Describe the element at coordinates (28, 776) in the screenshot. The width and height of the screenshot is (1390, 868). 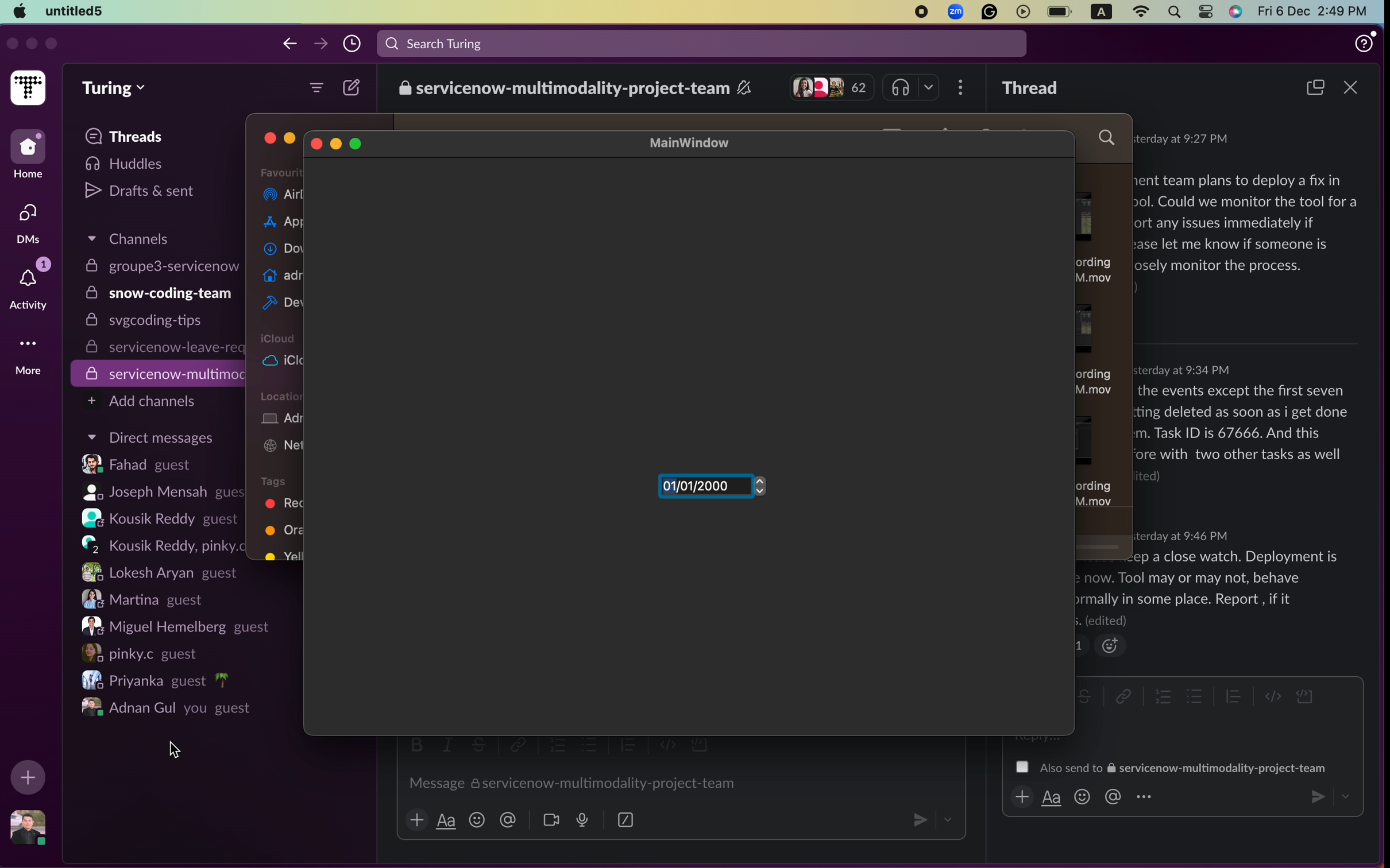
I see `add` at that location.